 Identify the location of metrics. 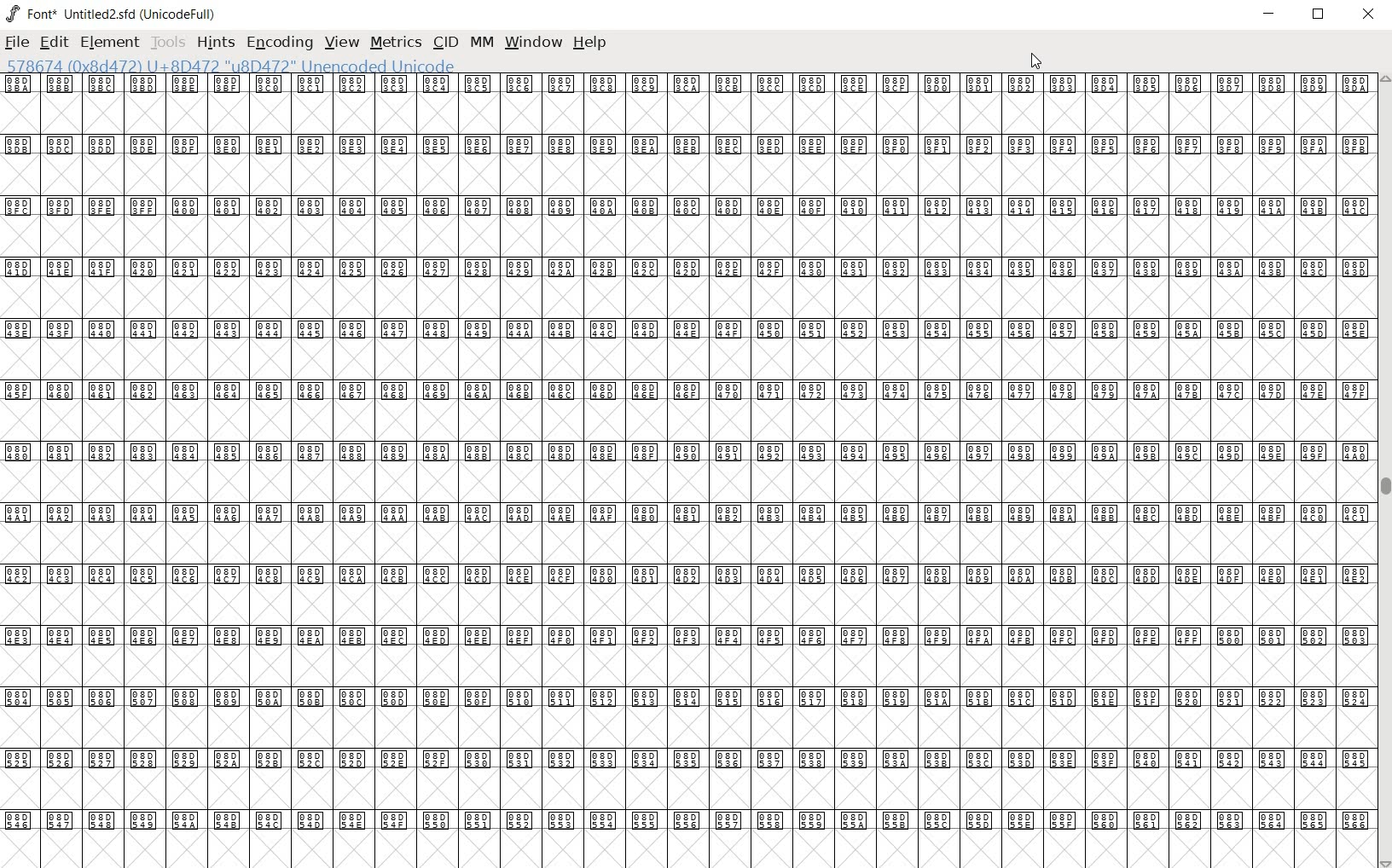
(395, 43).